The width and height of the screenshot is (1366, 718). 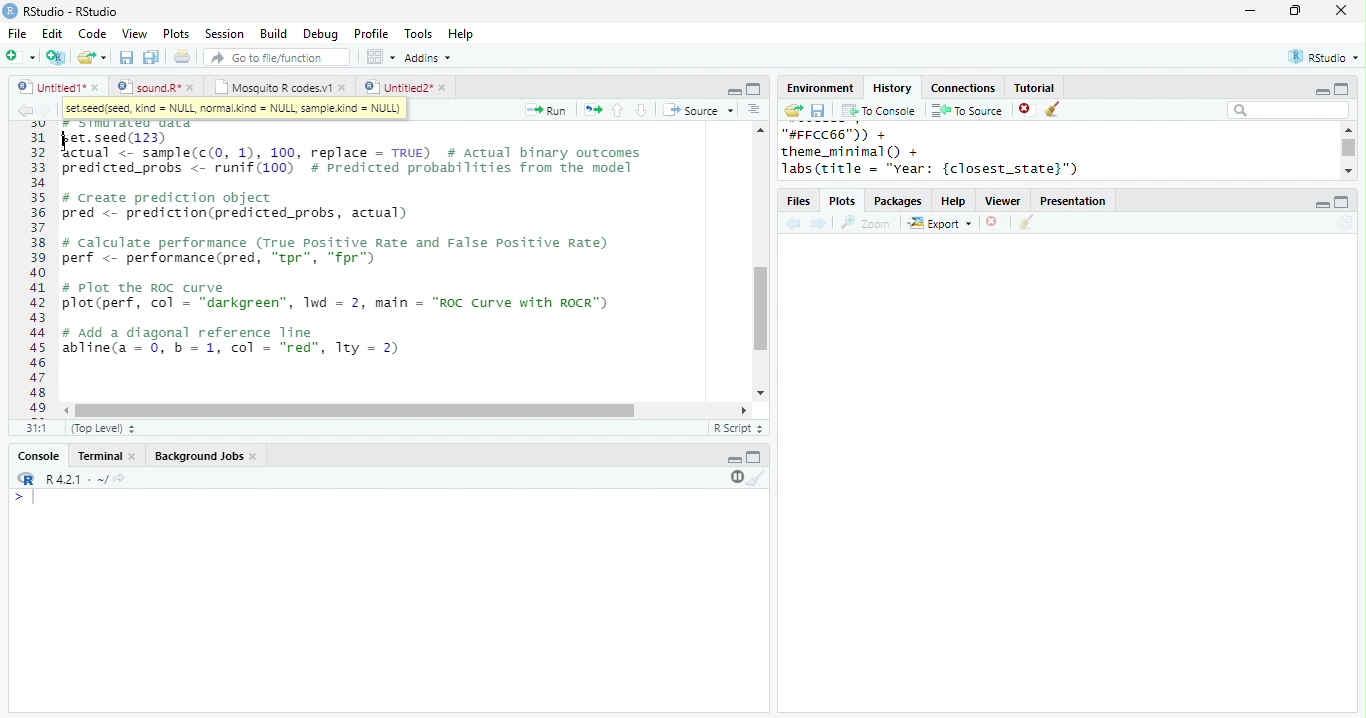 I want to click on help, so click(x=954, y=202).